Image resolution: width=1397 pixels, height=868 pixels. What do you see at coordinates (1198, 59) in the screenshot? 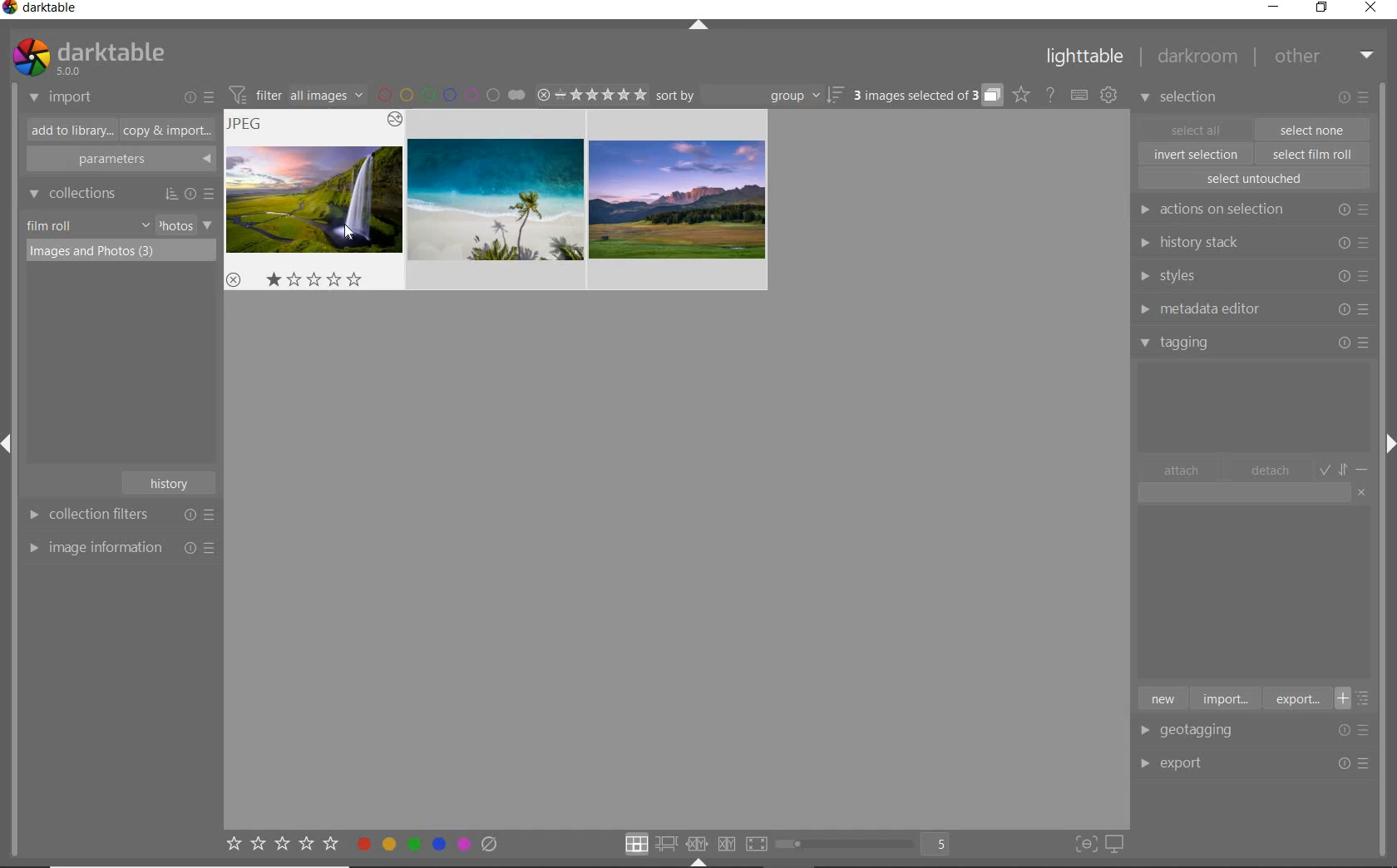
I see `darkroom` at bounding box center [1198, 59].